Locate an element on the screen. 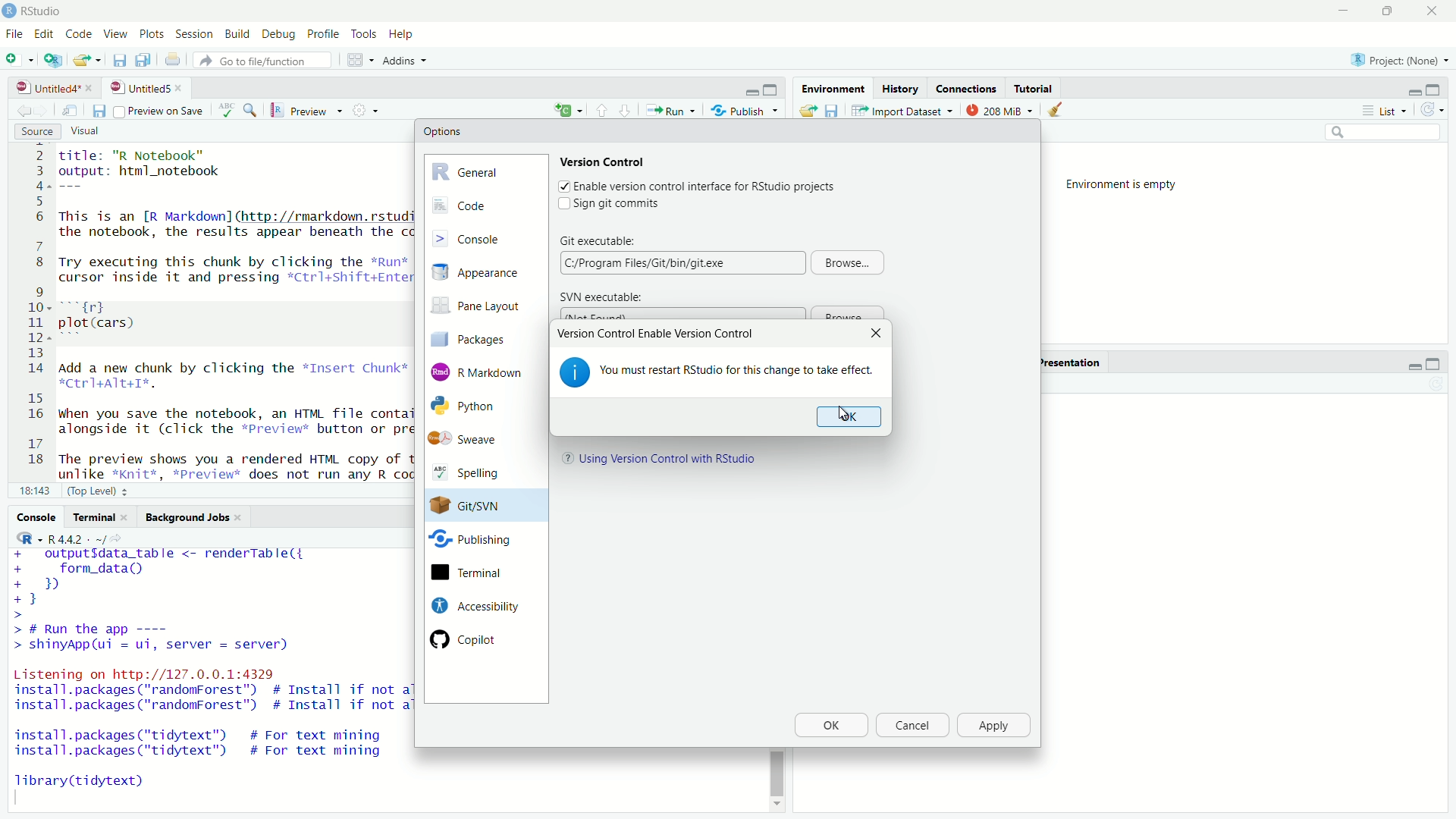 This screenshot has width=1456, height=819.  Console is located at coordinates (485, 237).